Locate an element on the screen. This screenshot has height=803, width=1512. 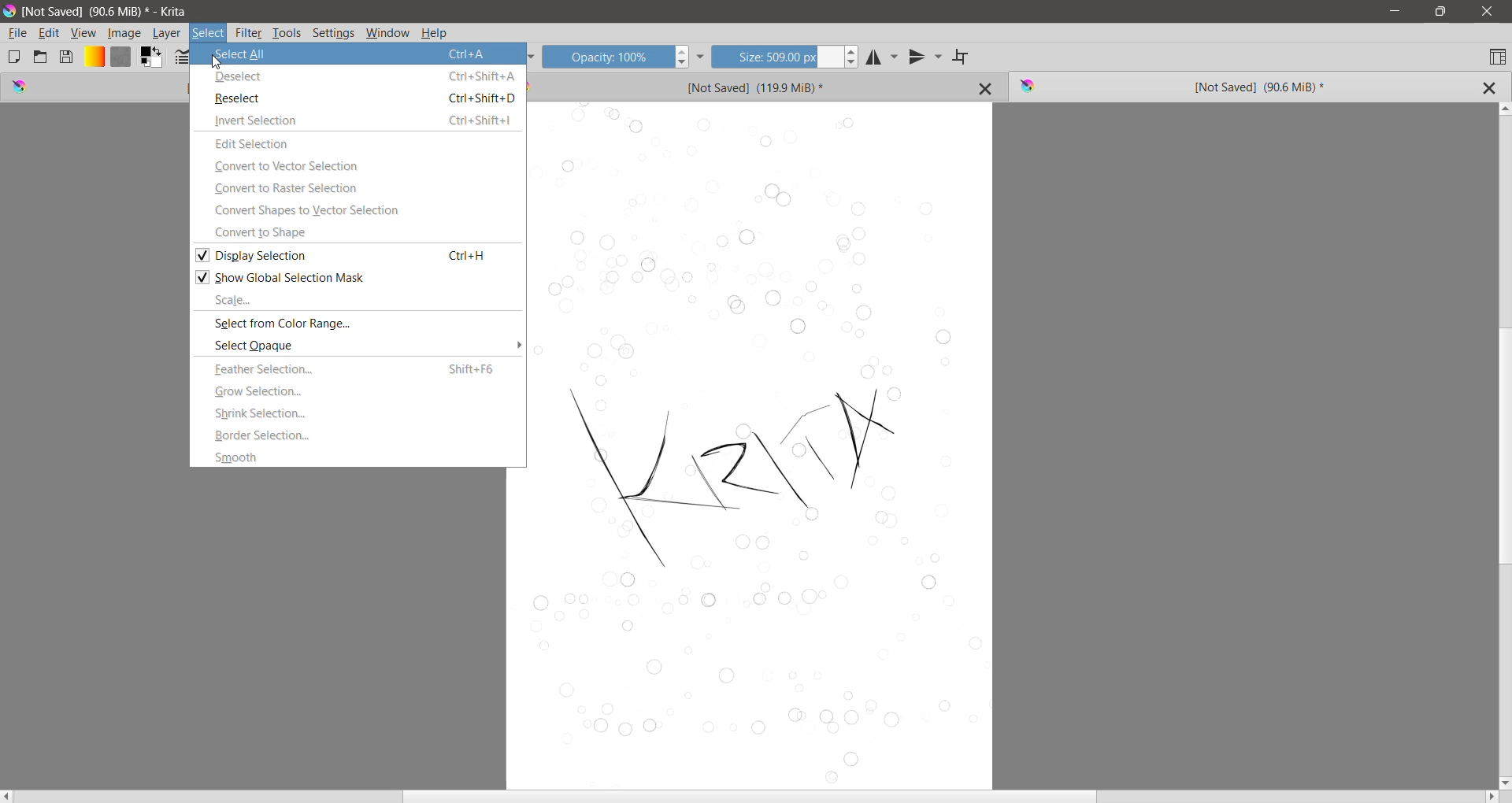
Vertical Mirror Tool is located at coordinates (925, 57).